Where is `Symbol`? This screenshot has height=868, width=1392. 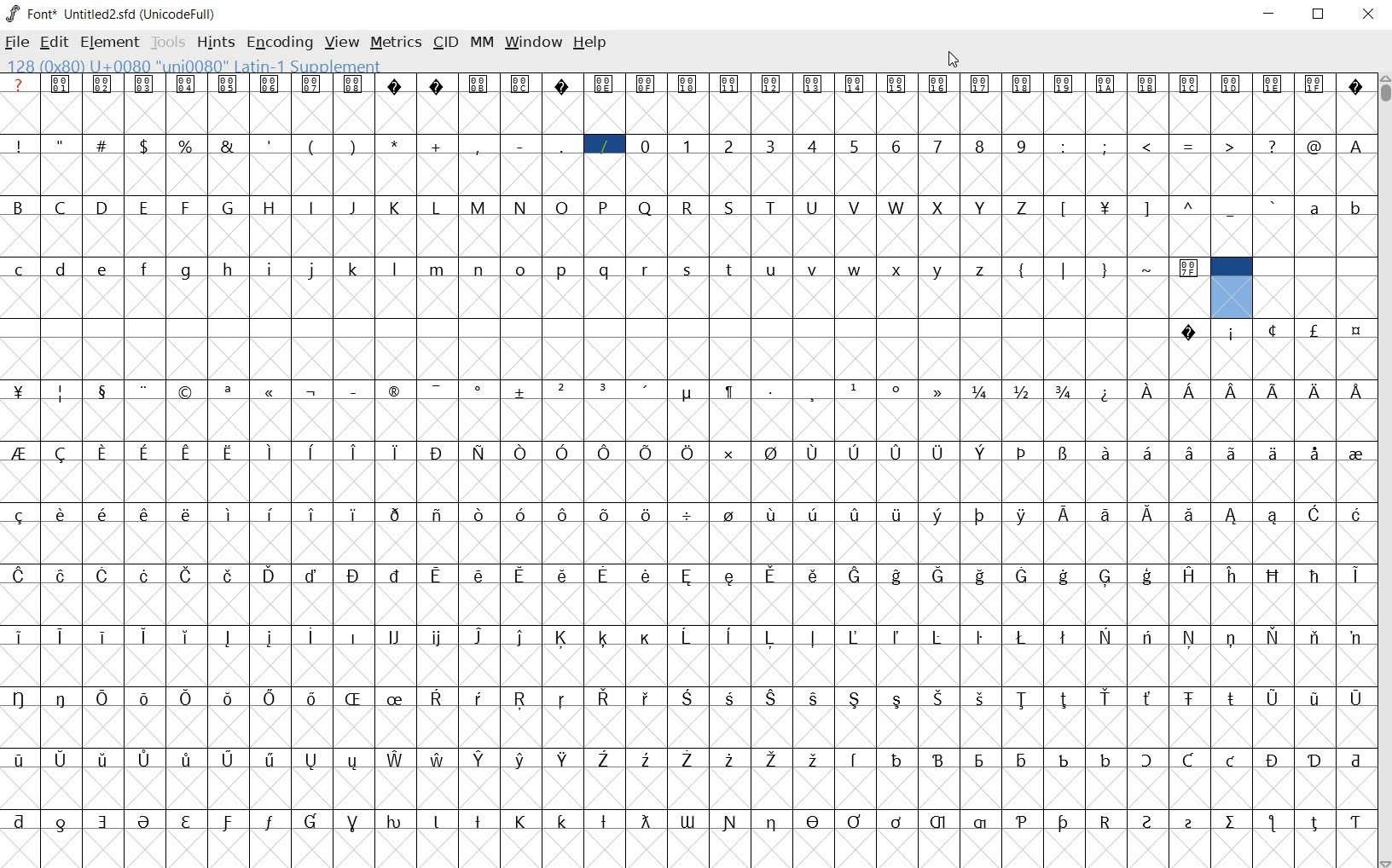 Symbol is located at coordinates (1315, 574).